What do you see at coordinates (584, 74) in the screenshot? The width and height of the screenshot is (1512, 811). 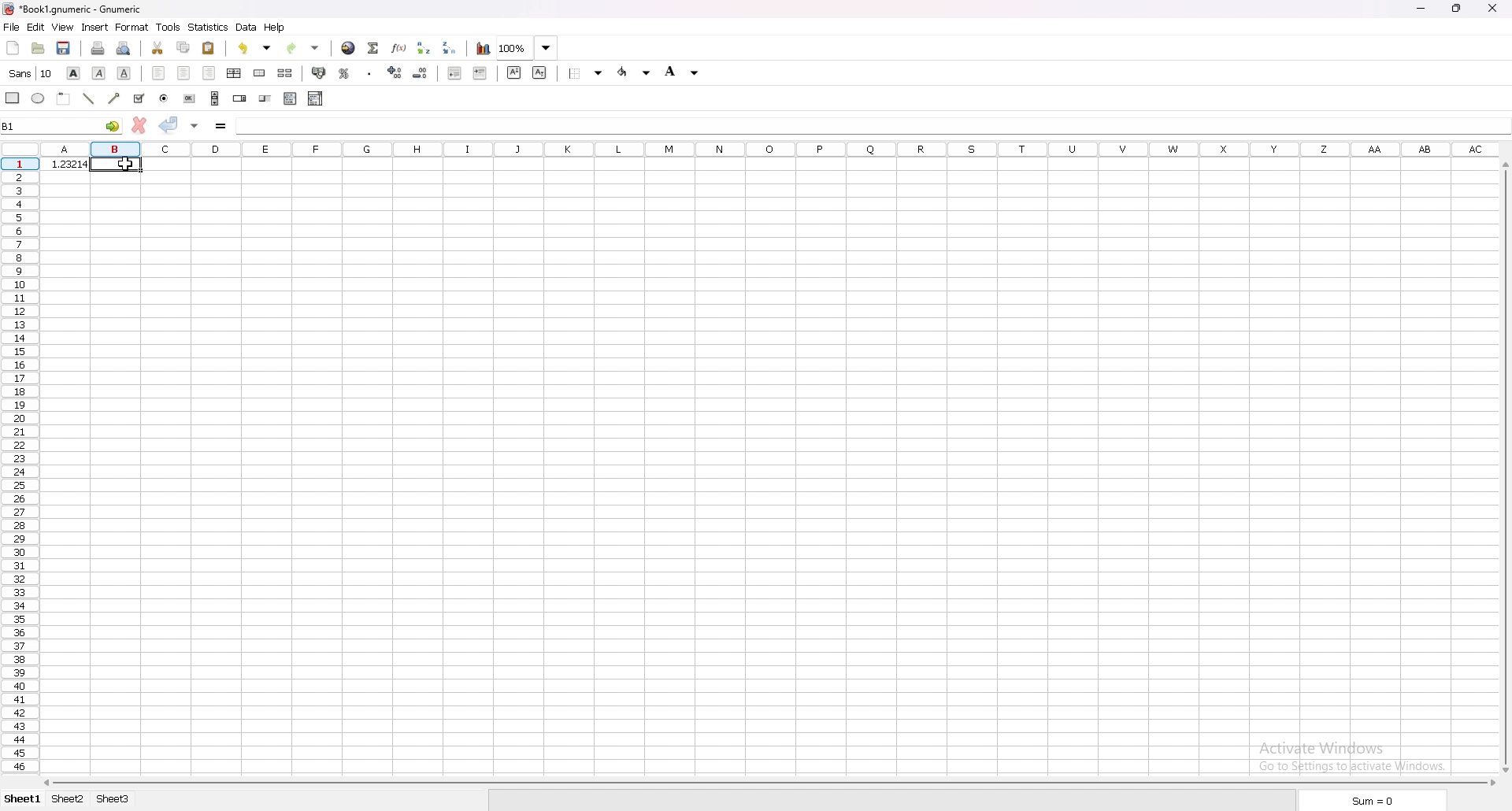 I see `border` at bounding box center [584, 74].